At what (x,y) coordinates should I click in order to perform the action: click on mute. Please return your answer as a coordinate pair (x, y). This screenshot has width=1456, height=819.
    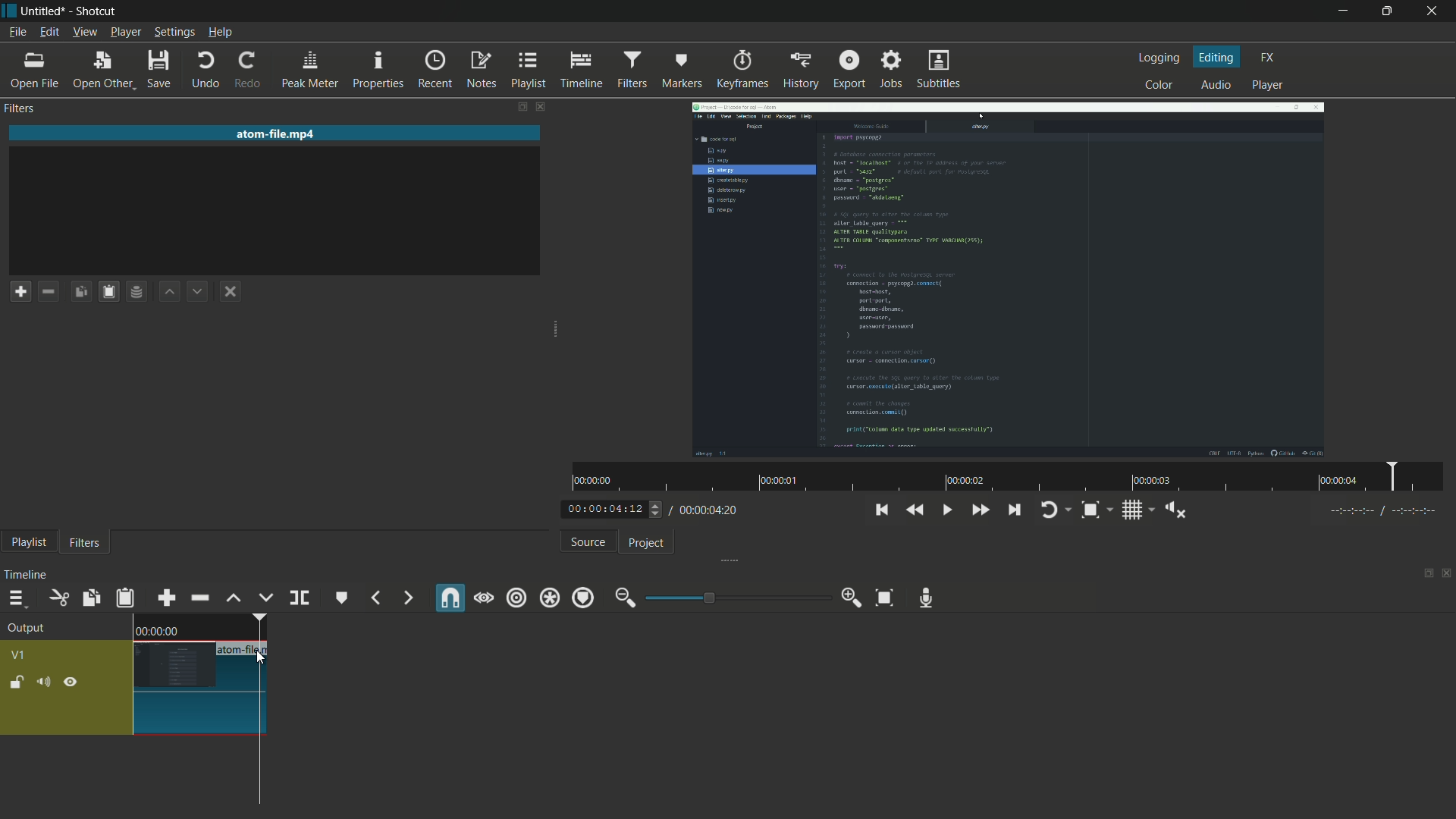
    Looking at the image, I should click on (46, 682).